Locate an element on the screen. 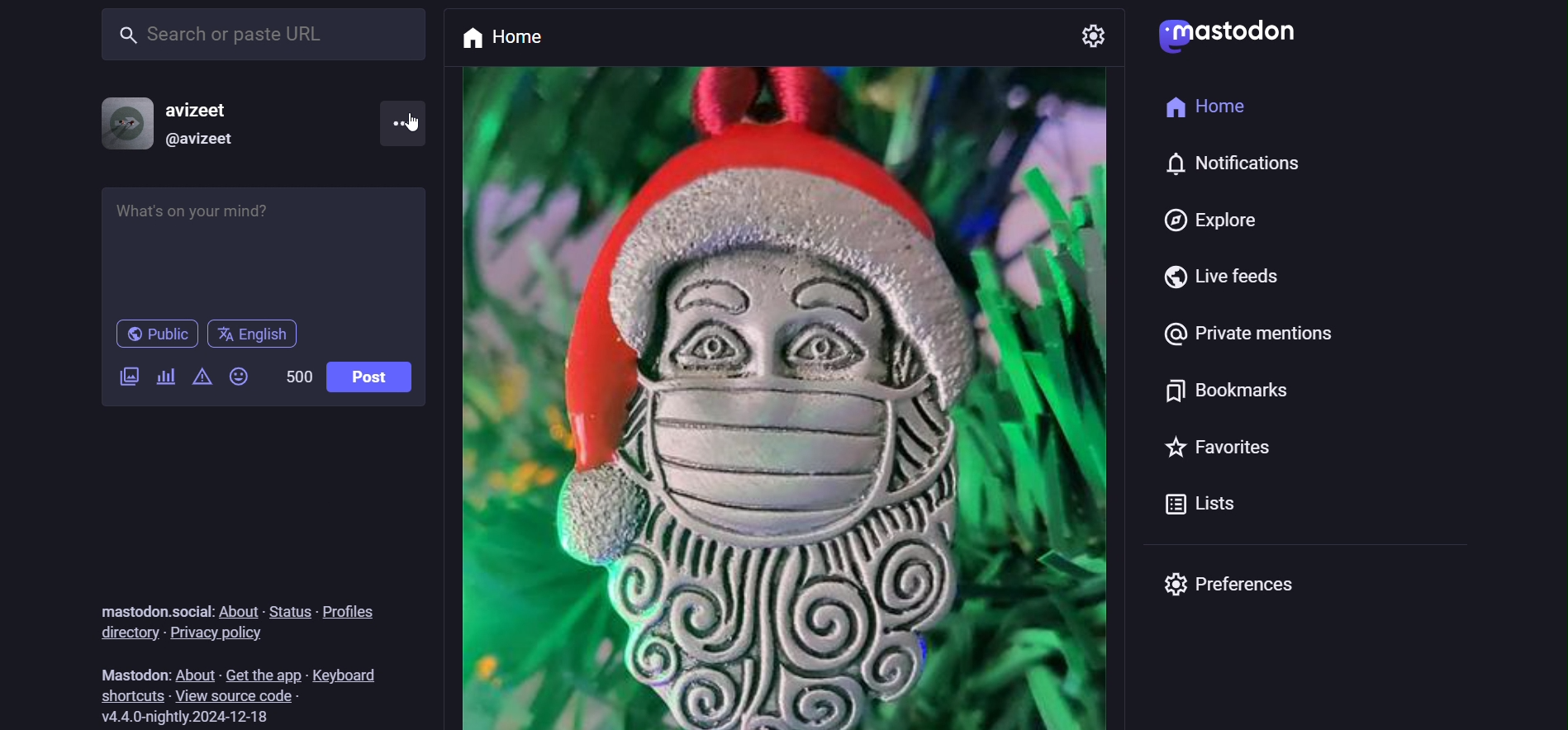  notifications is located at coordinates (1232, 168).